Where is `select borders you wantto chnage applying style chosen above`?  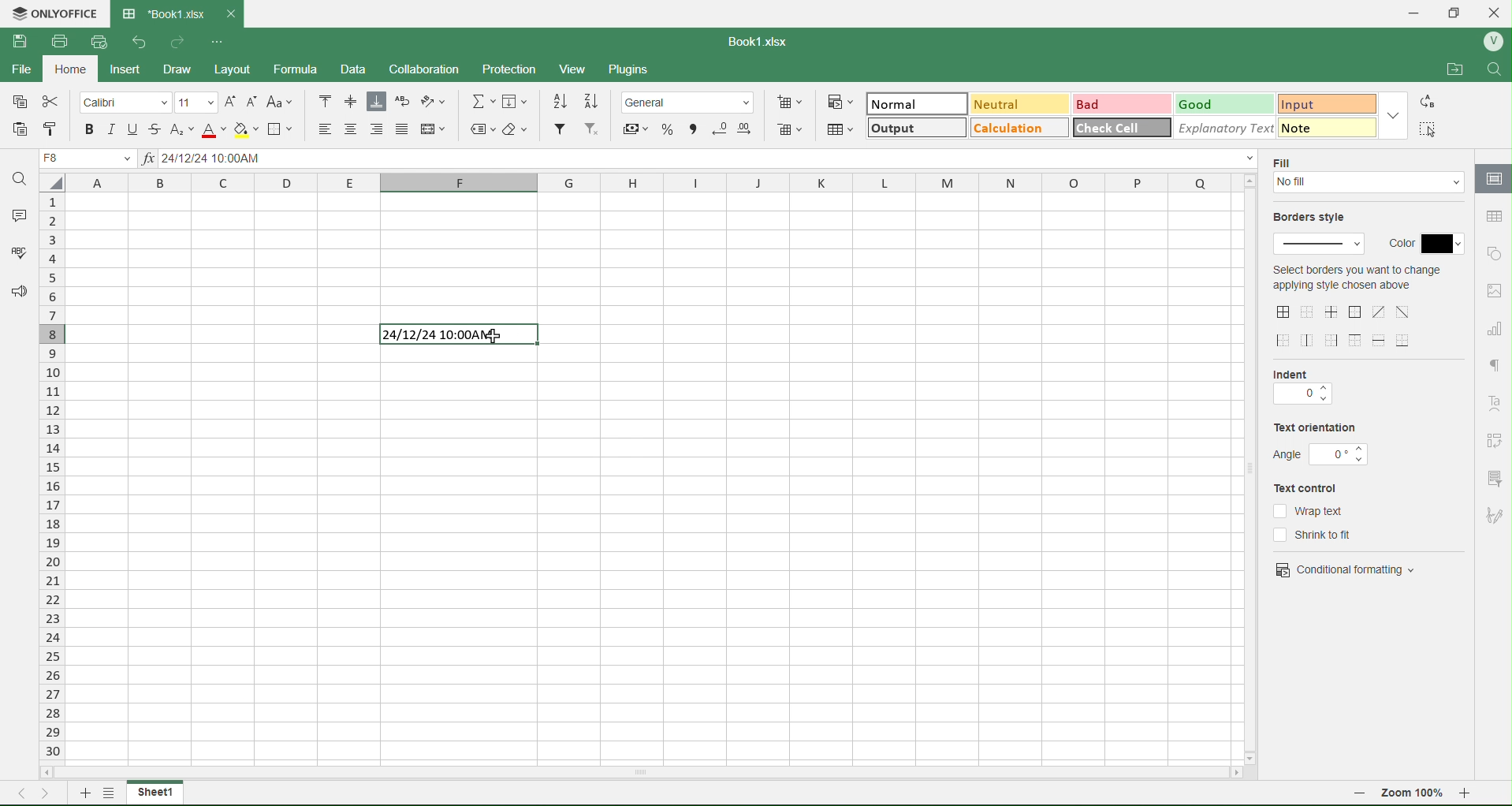
select borders you wantto chnage applying style chosen above is located at coordinates (1356, 281).